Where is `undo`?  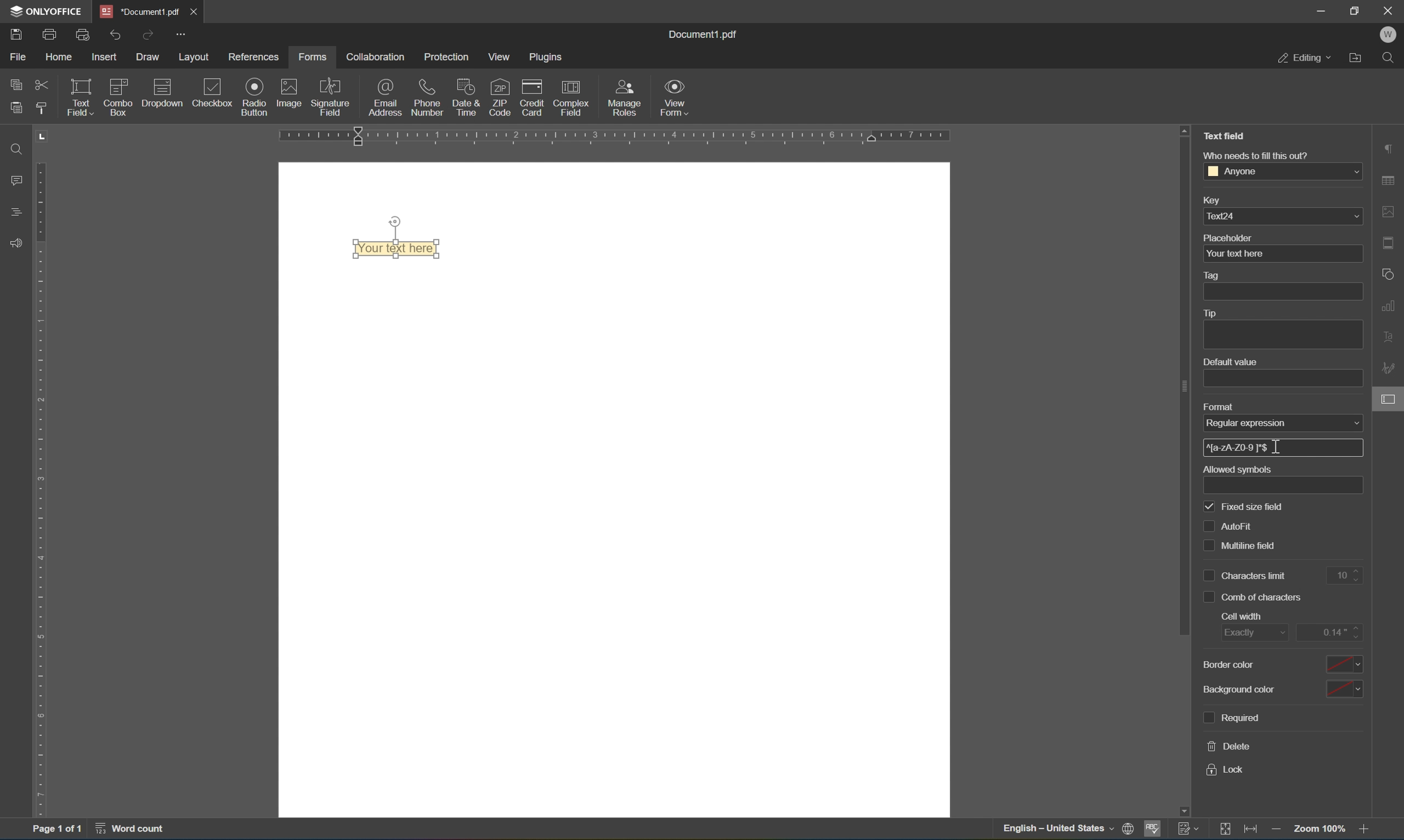
undo is located at coordinates (115, 36).